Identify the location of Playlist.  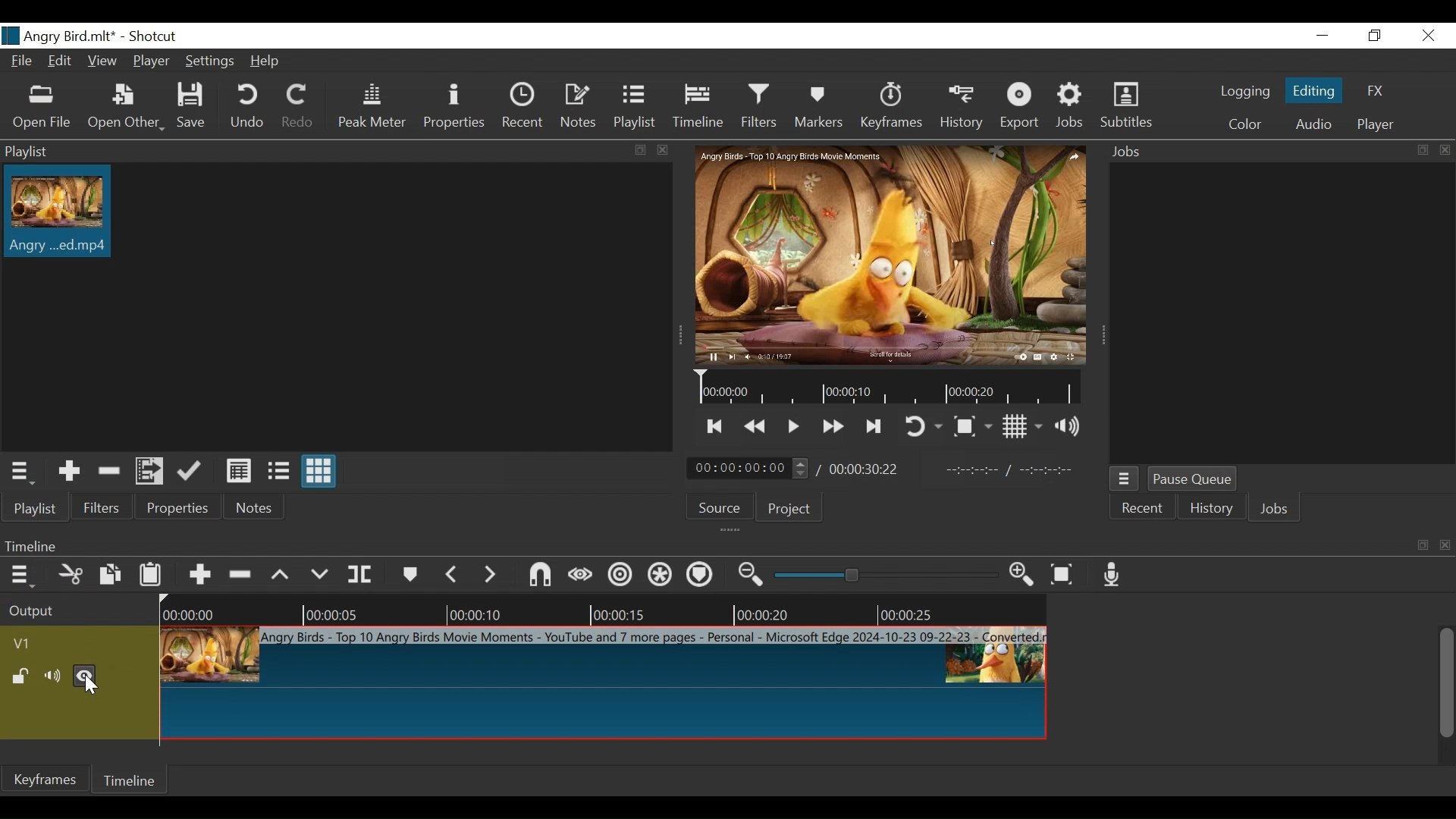
(35, 507).